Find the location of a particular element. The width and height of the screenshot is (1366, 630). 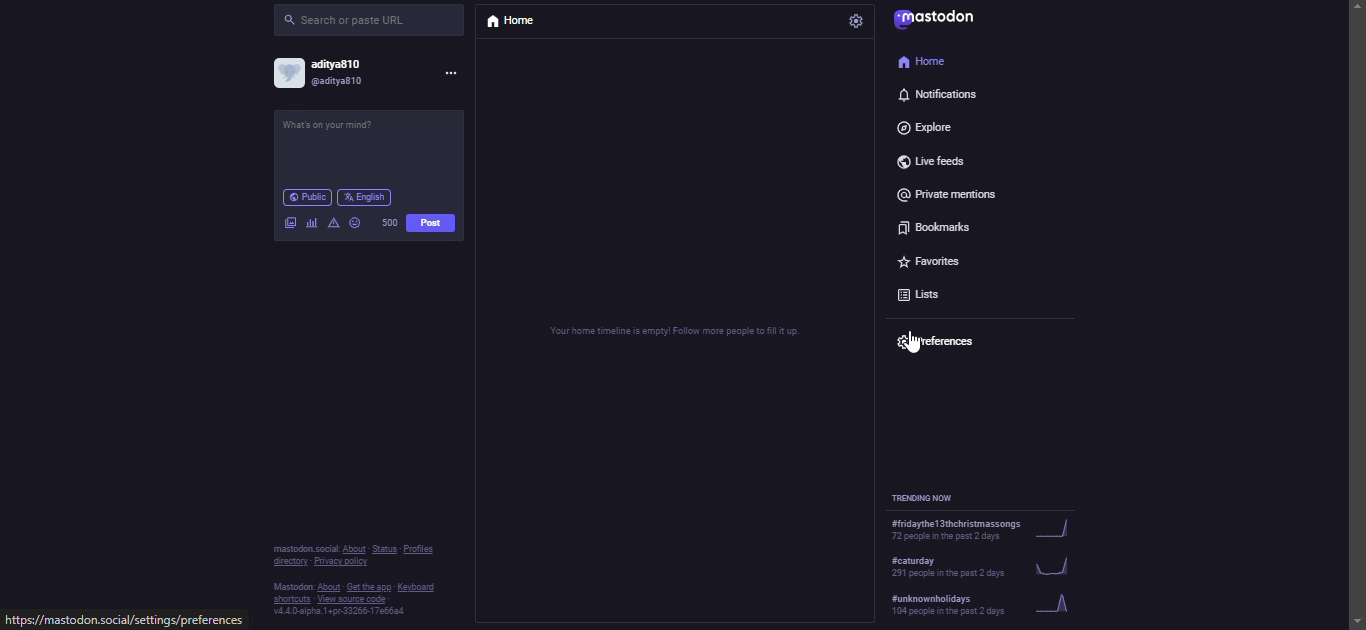

settings is located at coordinates (857, 21).